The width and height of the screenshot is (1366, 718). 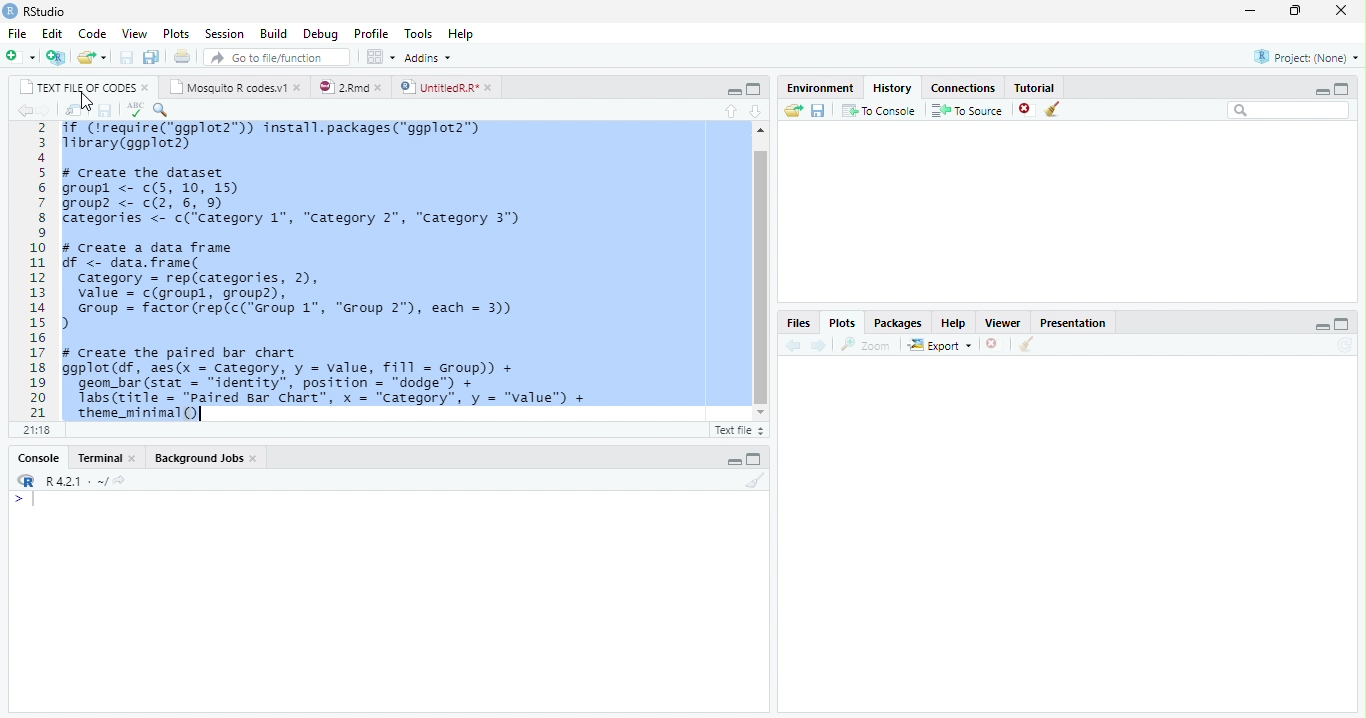 What do you see at coordinates (964, 110) in the screenshot?
I see ` to source : insert the selected command into the current document ` at bounding box center [964, 110].